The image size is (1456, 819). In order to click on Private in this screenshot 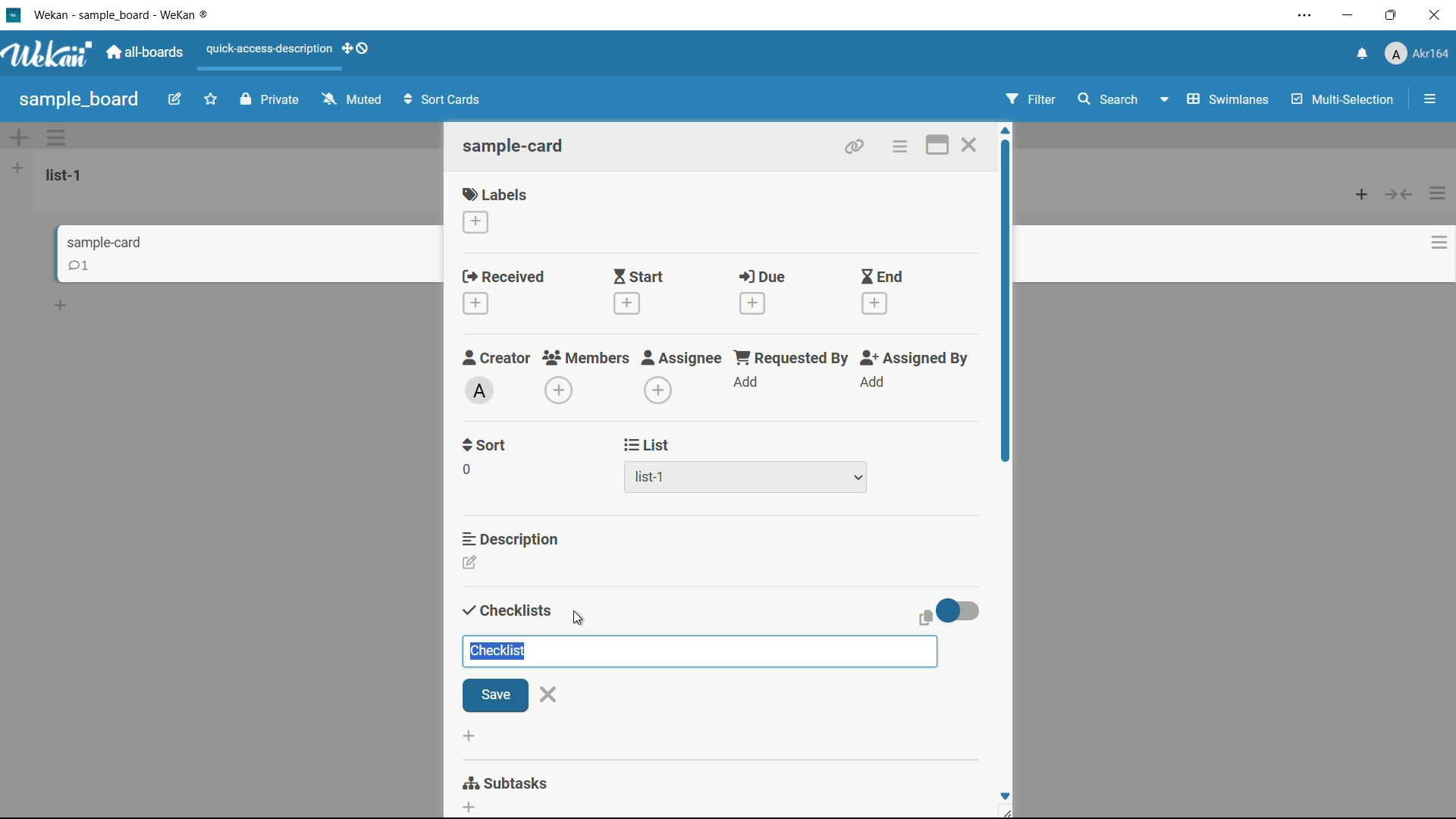, I will do `click(266, 99)`.